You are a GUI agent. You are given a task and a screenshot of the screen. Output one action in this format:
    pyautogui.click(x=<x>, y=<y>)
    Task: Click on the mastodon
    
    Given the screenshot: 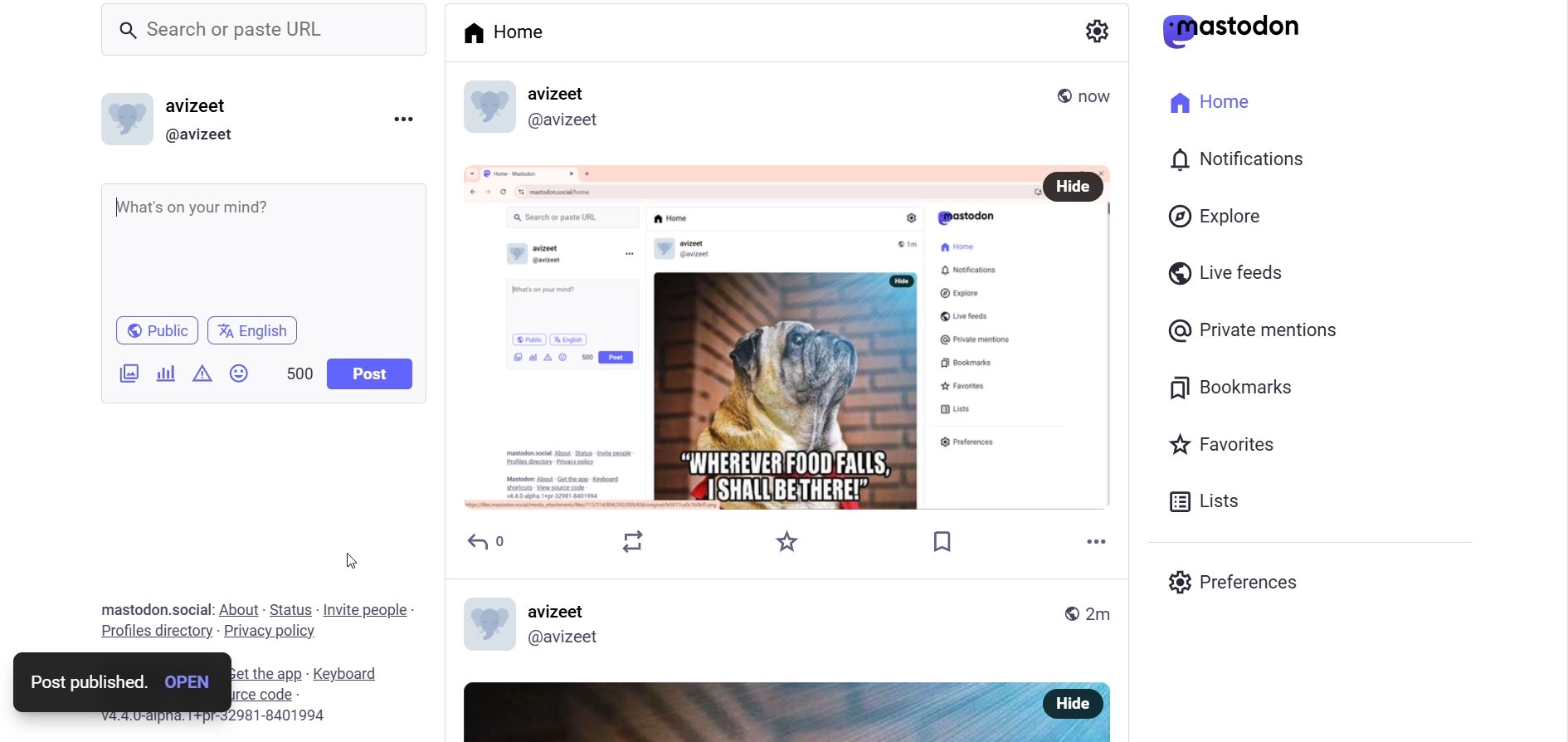 What is the action you would take?
    pyautogui.click(x=1235, y=30)
    